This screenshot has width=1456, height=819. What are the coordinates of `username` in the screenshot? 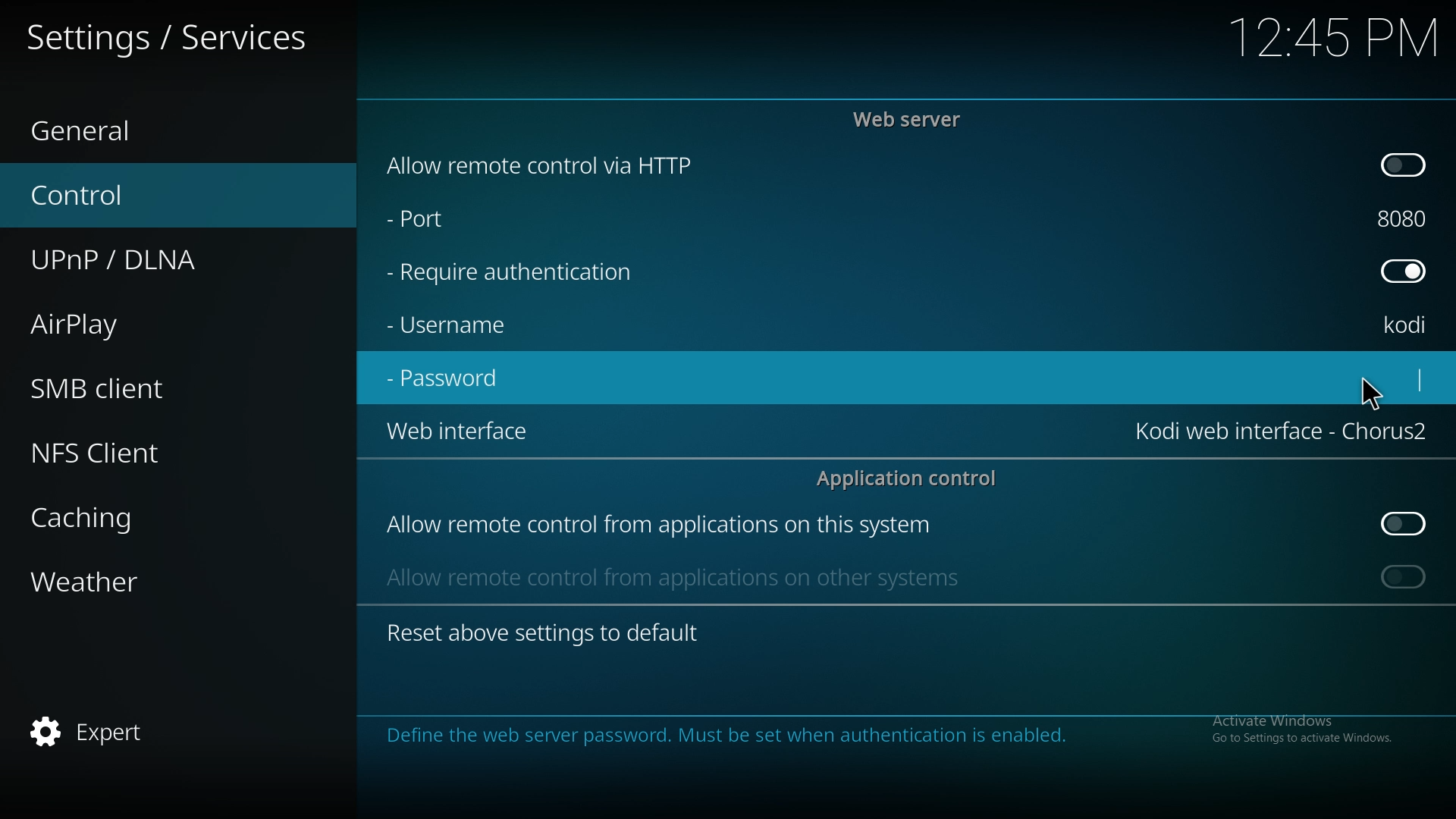 It's located at (449, 325).